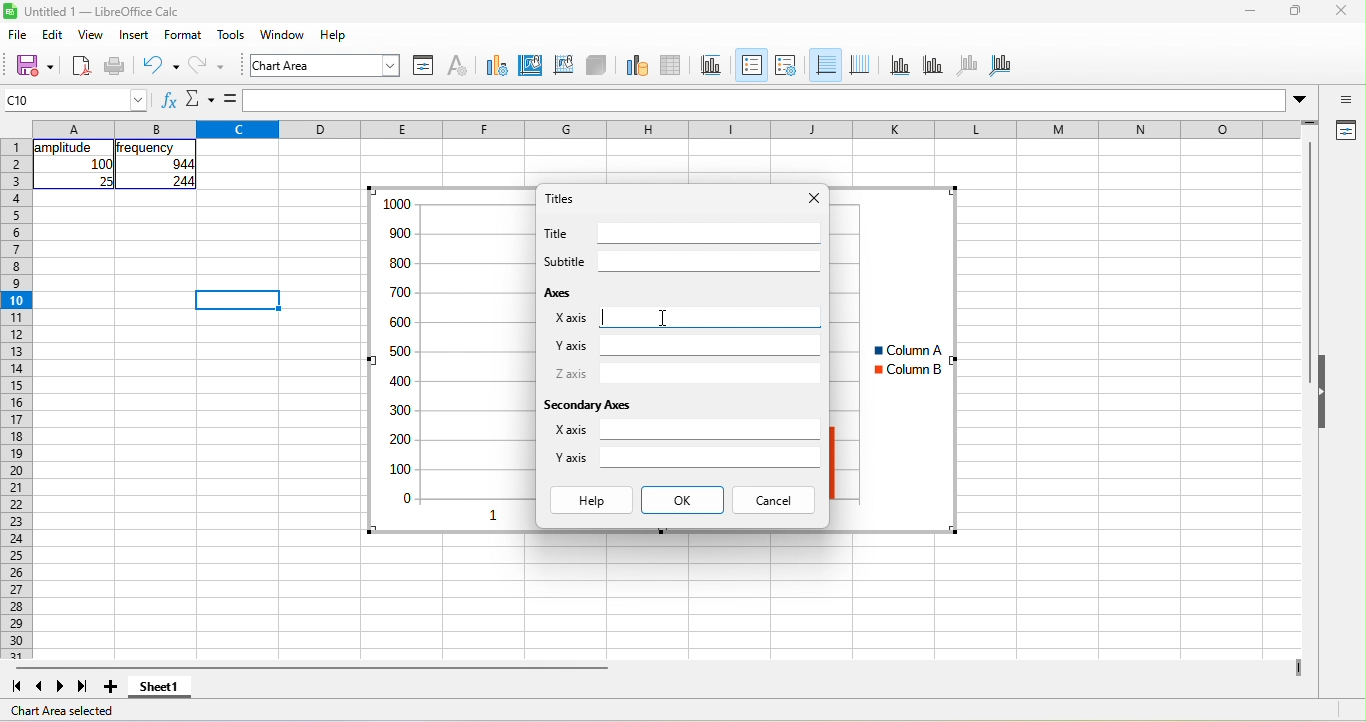 The width and height of the screenshot is (1366, 722). What do you see at coordinates (110, 687) in the screenshot?
I see `add new sheet` at bounding box center [110, 687].